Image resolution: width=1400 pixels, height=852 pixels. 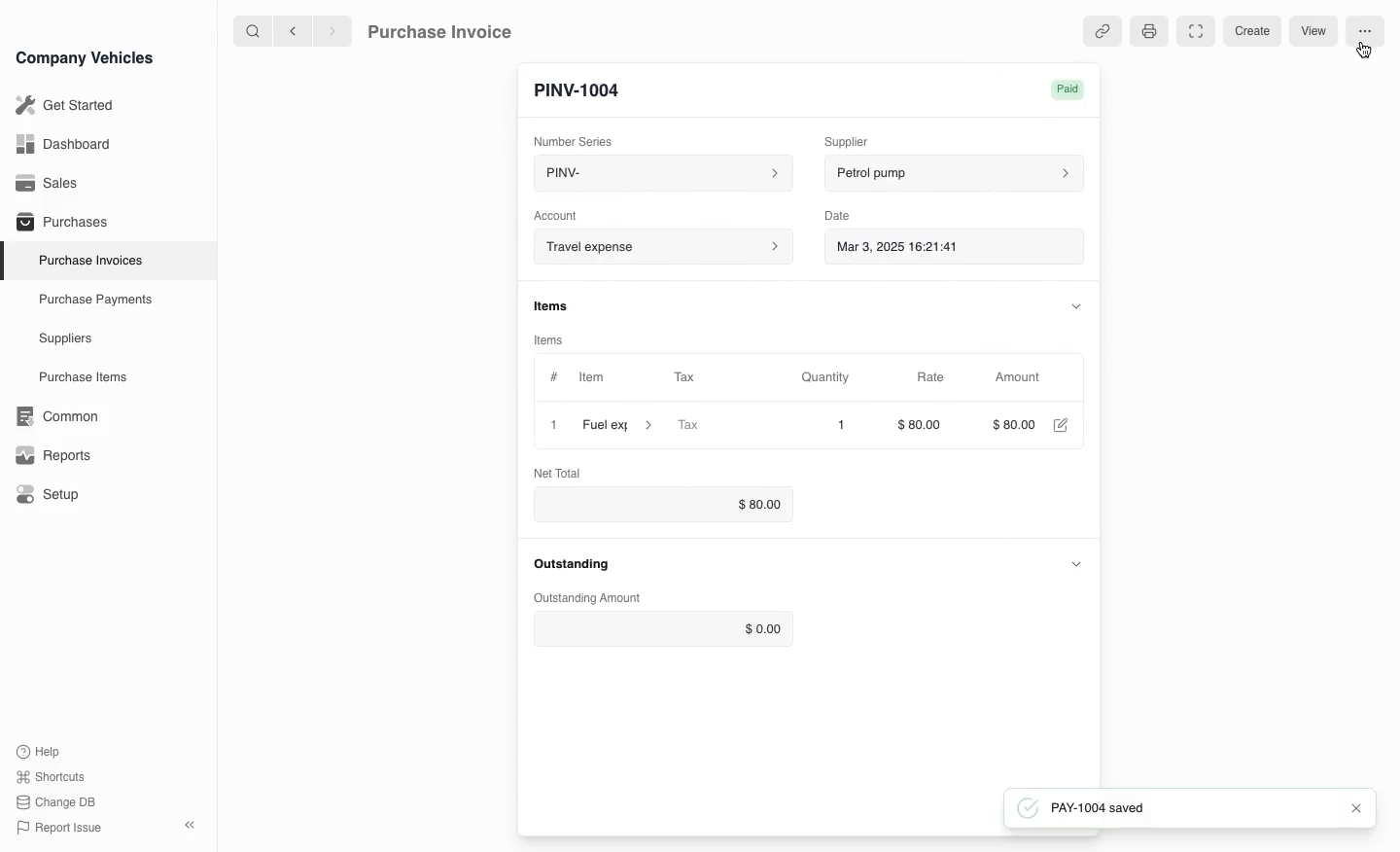 What do you see at coordinates (52, 778) in the screenshot?
I see `Shortcuts` at bounding box center [52, 778].